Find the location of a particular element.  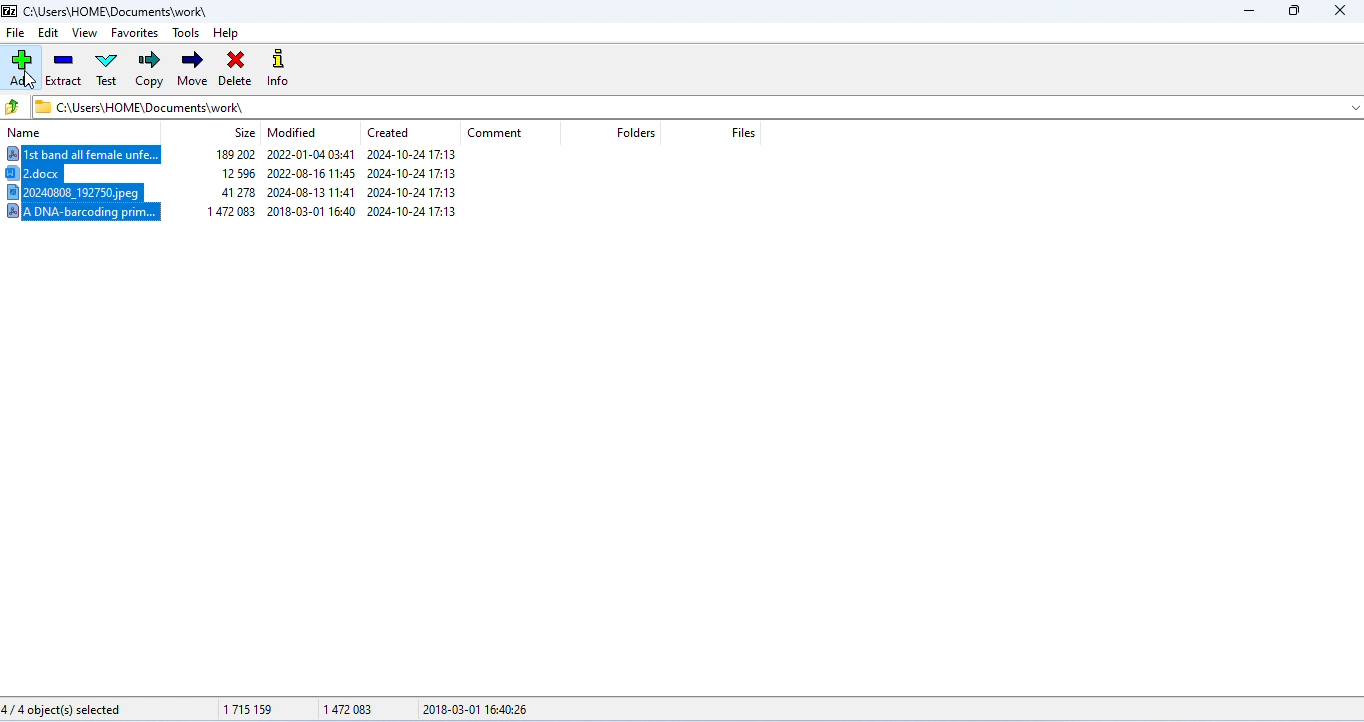

info is located at coordinates (283, 70).